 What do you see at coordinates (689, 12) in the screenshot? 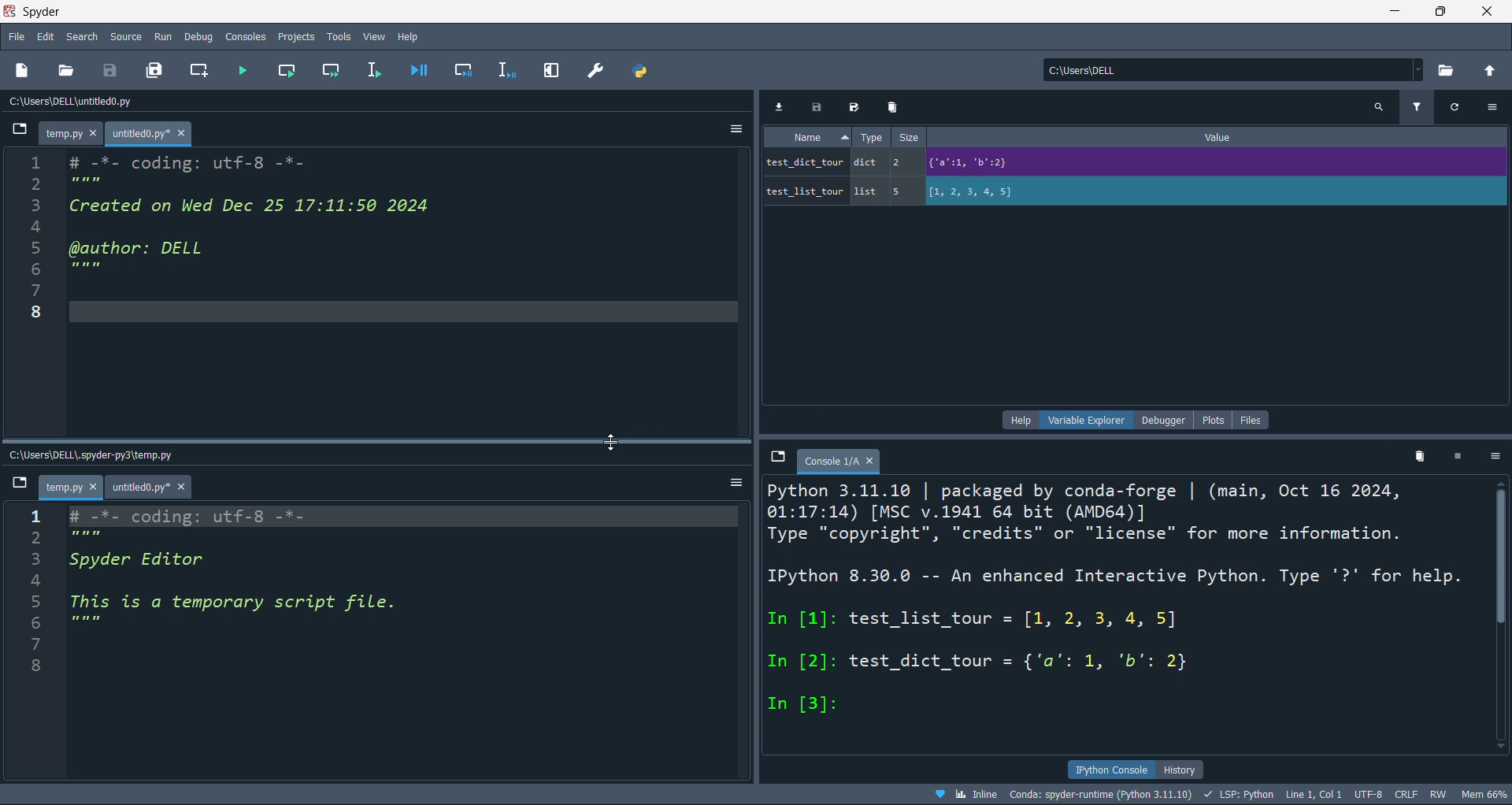
I see `Spyder` at bounding box center [689, 12].